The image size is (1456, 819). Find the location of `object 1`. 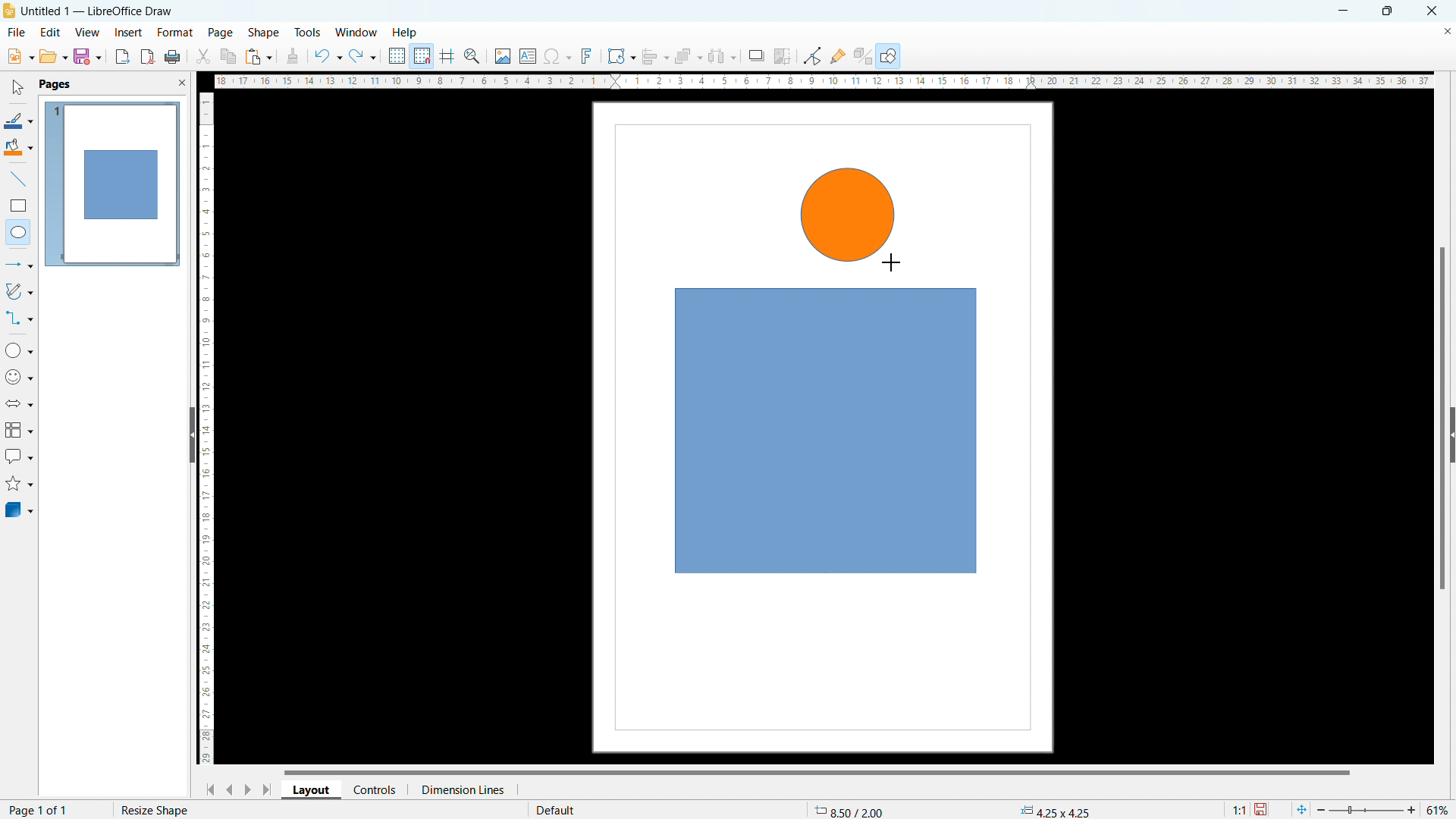

object 1 is located at coordinates (826, 431).